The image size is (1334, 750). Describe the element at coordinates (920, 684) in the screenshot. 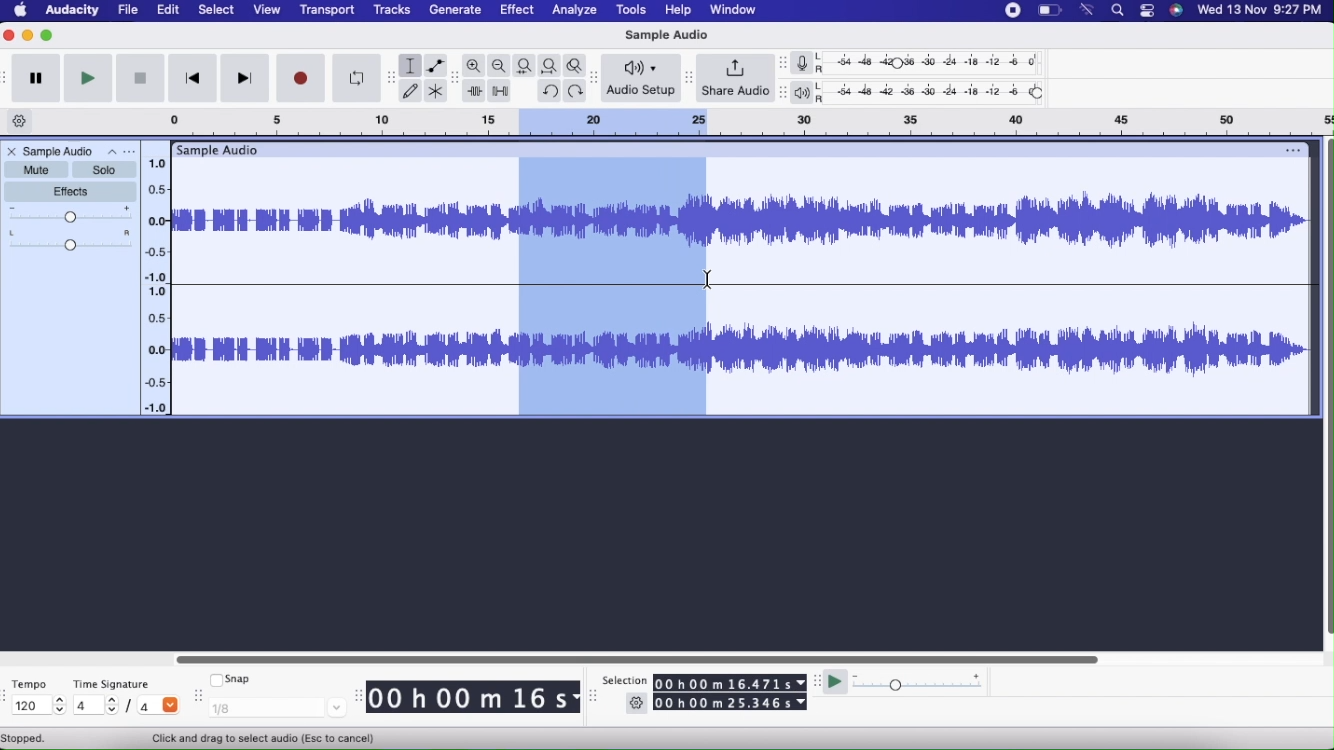

I see `Playback speed` at that location.